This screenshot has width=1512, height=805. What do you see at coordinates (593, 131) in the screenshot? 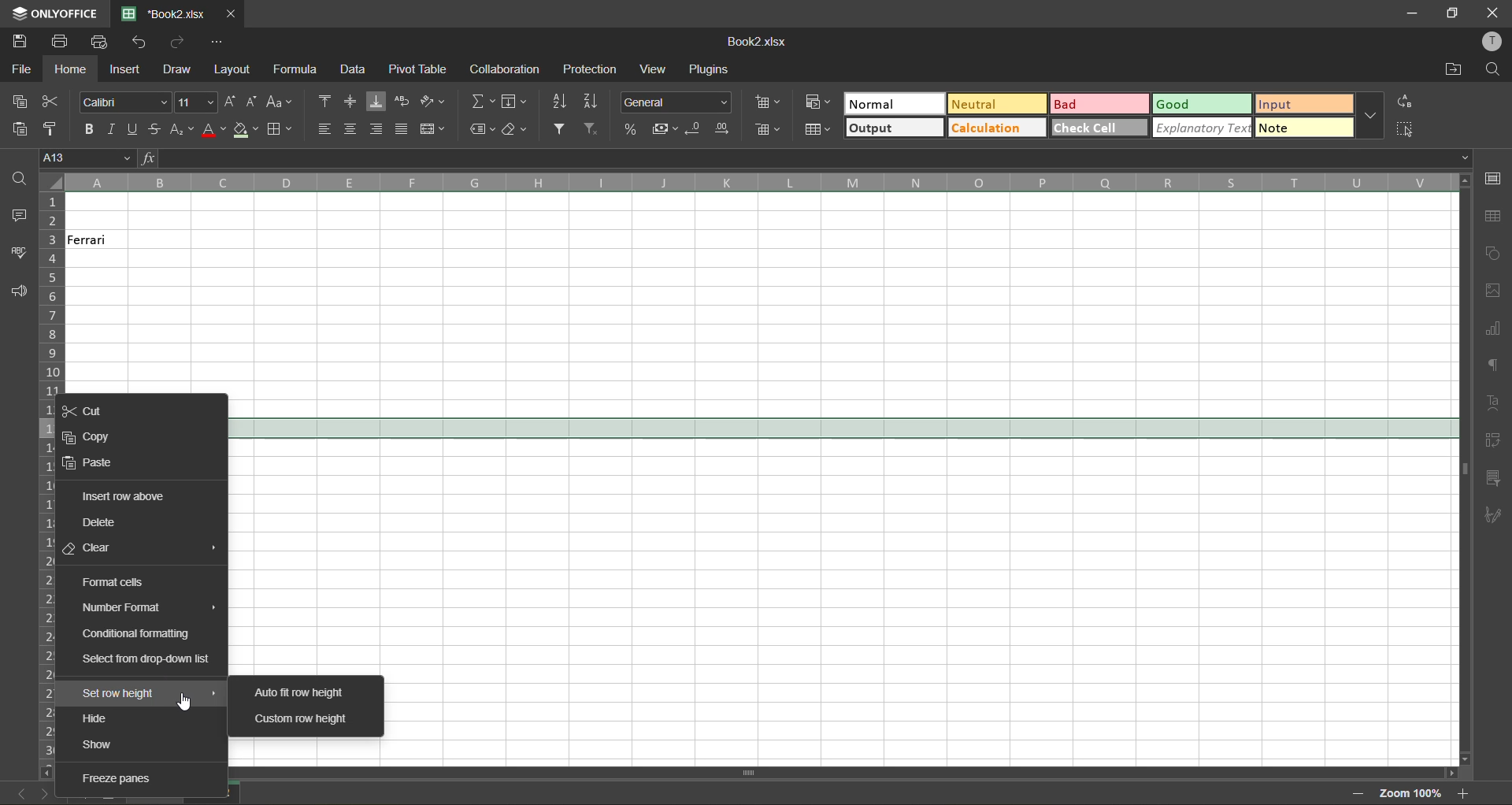
I see `clear filter` at bounding box center [593, 131].